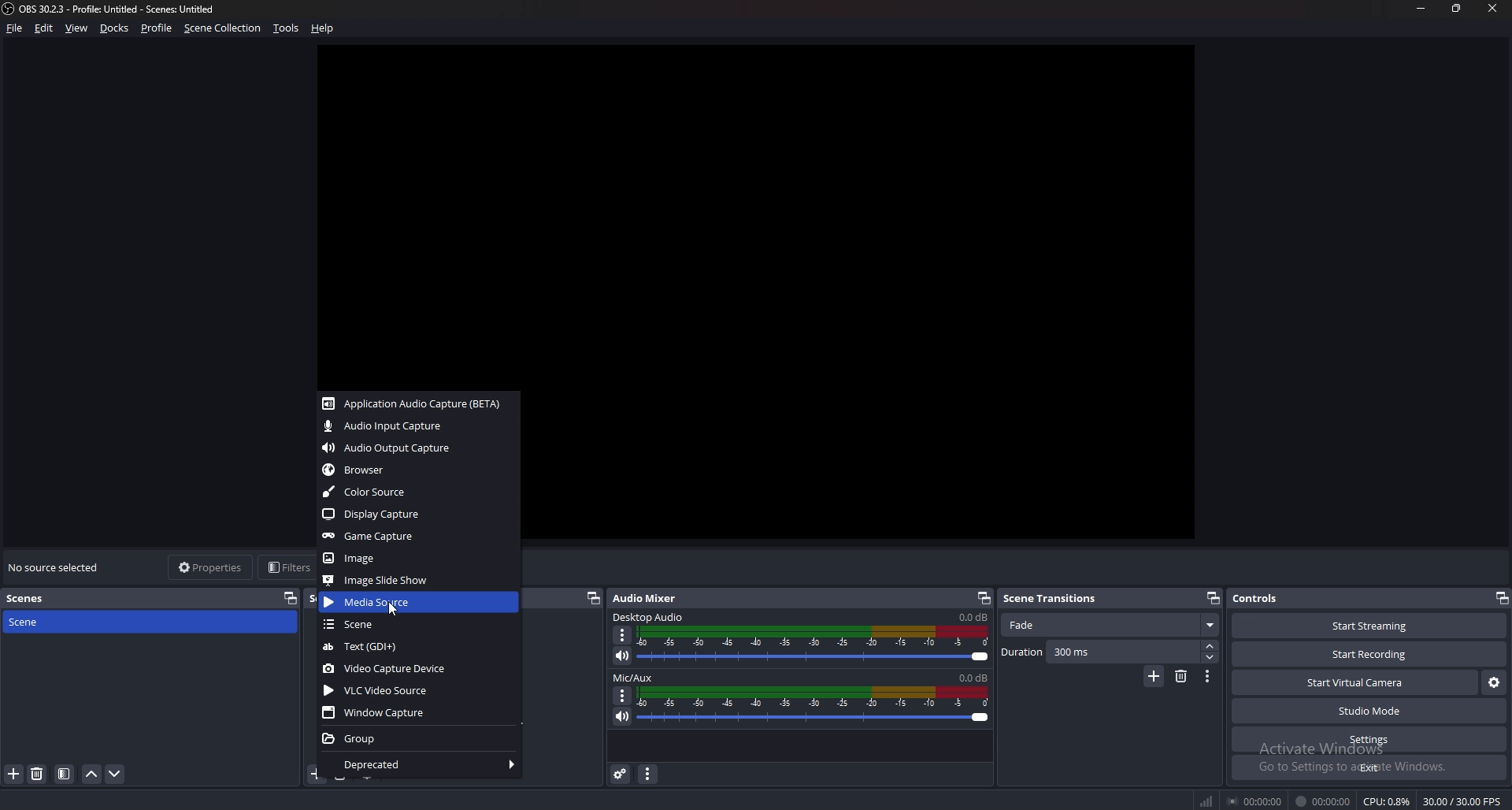 Image resolution: width=1512 pixels, height=810 pixels. Describe the element at coordinates (1154, 677) in the screenshot. I see `Add configurable transitions` at that location.